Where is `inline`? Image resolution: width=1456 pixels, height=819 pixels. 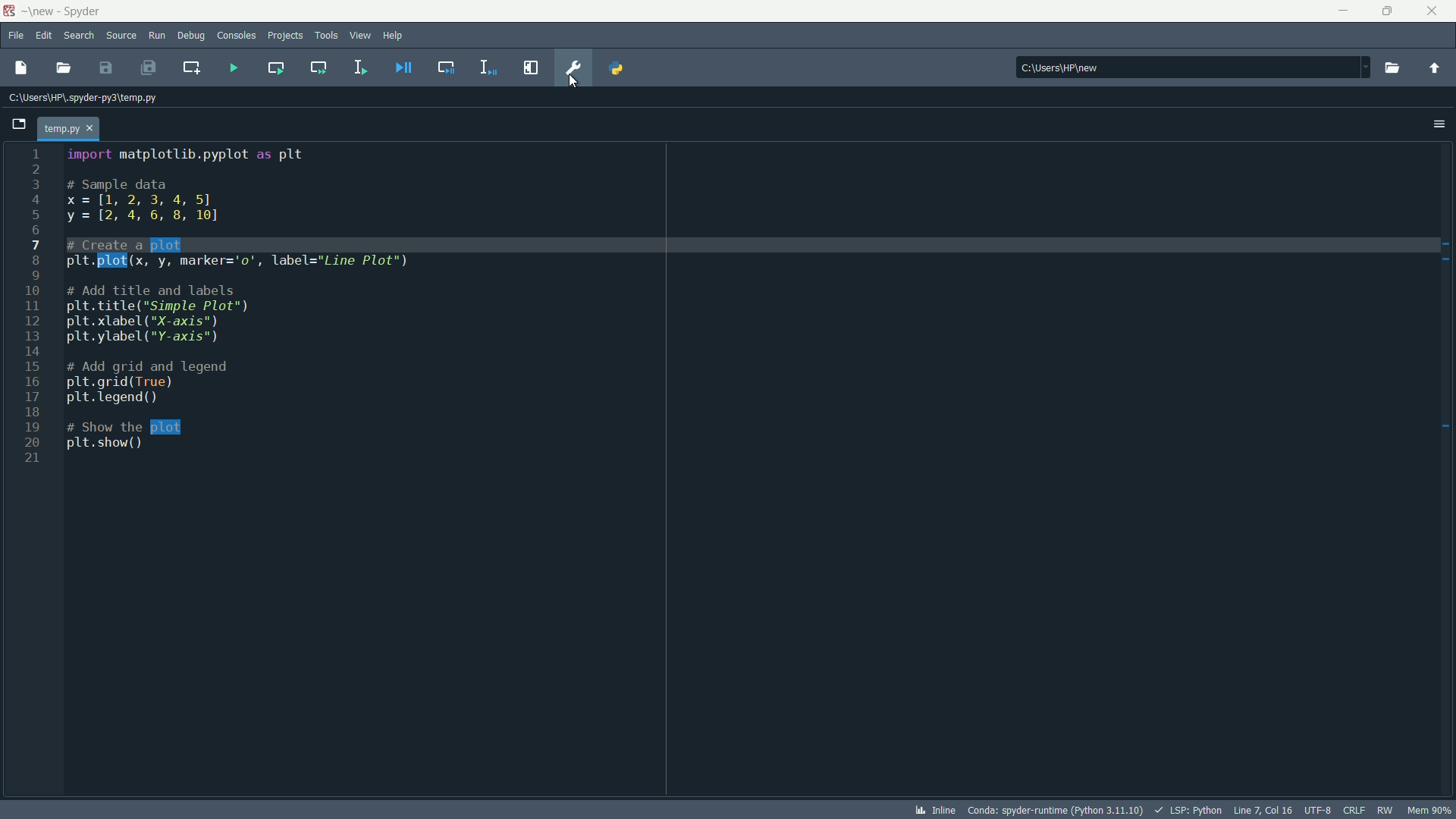 inline is located at coordinates (936, 810).